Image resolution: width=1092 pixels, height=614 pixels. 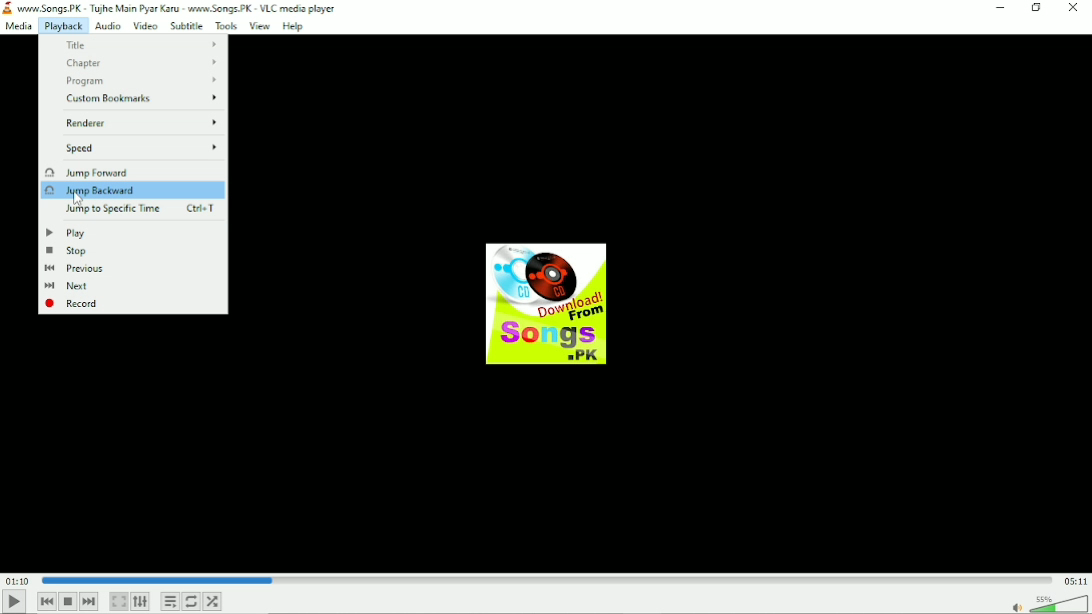 What do you see at coordinates (188, 26) in the screenshot?
I see `Subtitle` at bounding box center [188, 26].